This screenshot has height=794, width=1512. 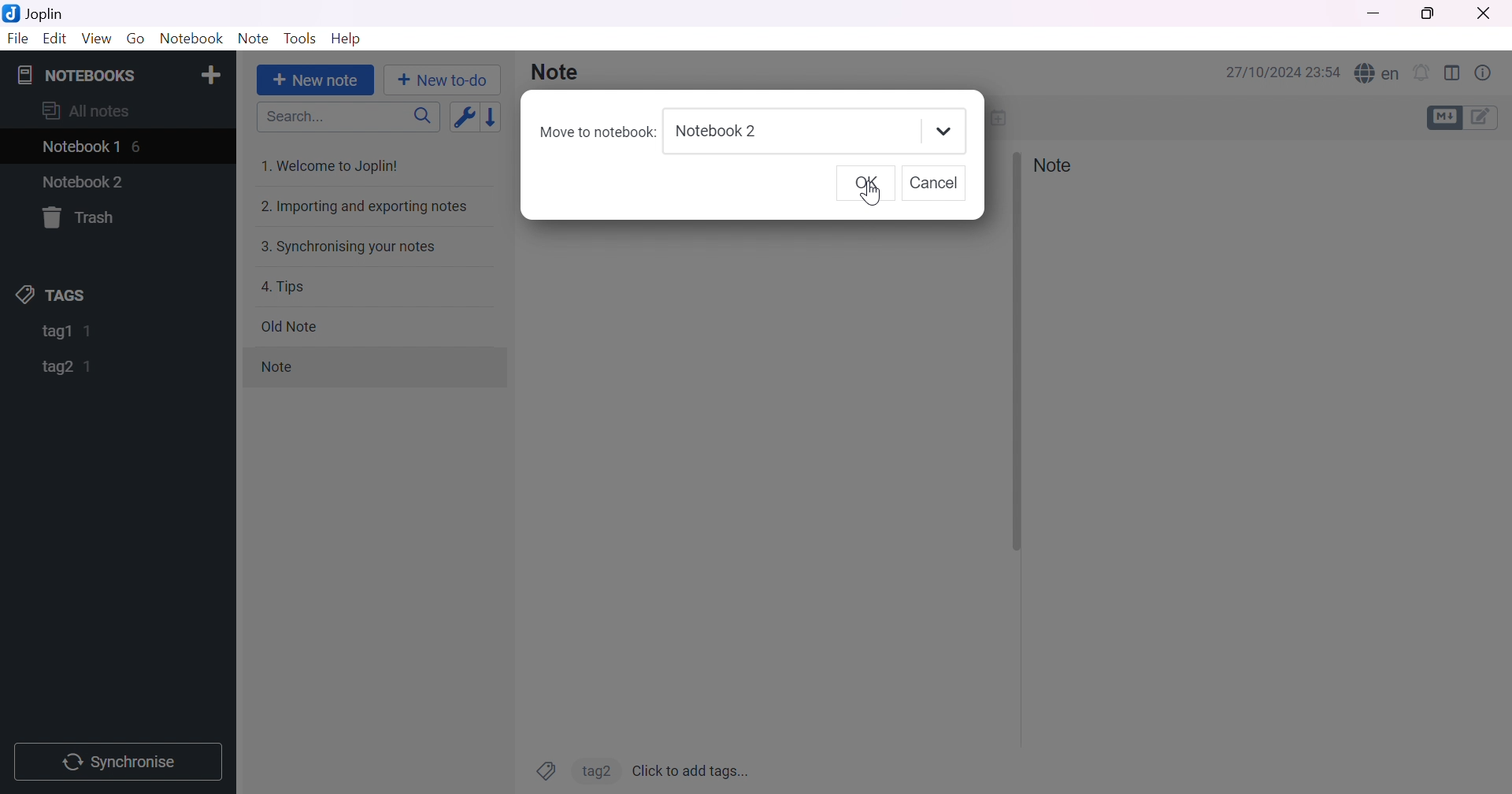 I want to click on + New note, so click(x=315, y=81).